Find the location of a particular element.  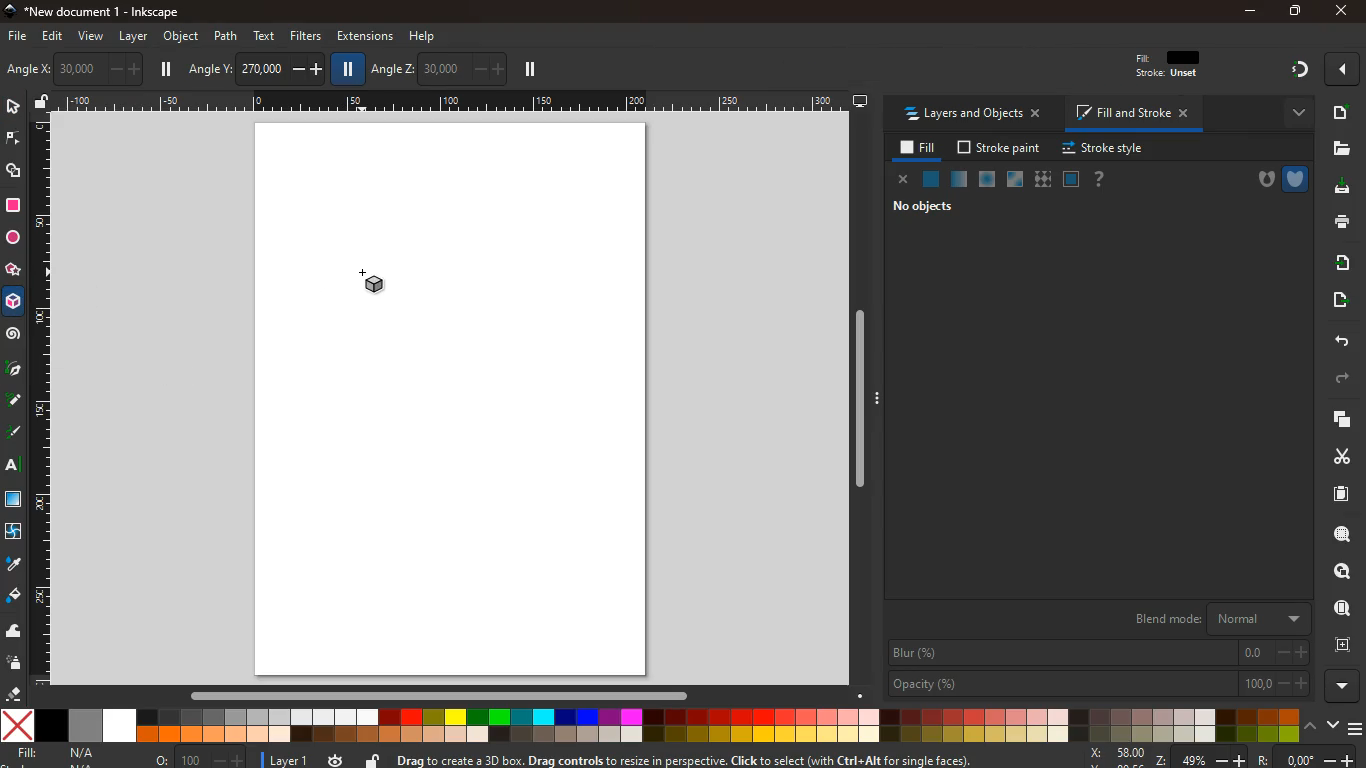

draw is located at coordinates (14, 436).